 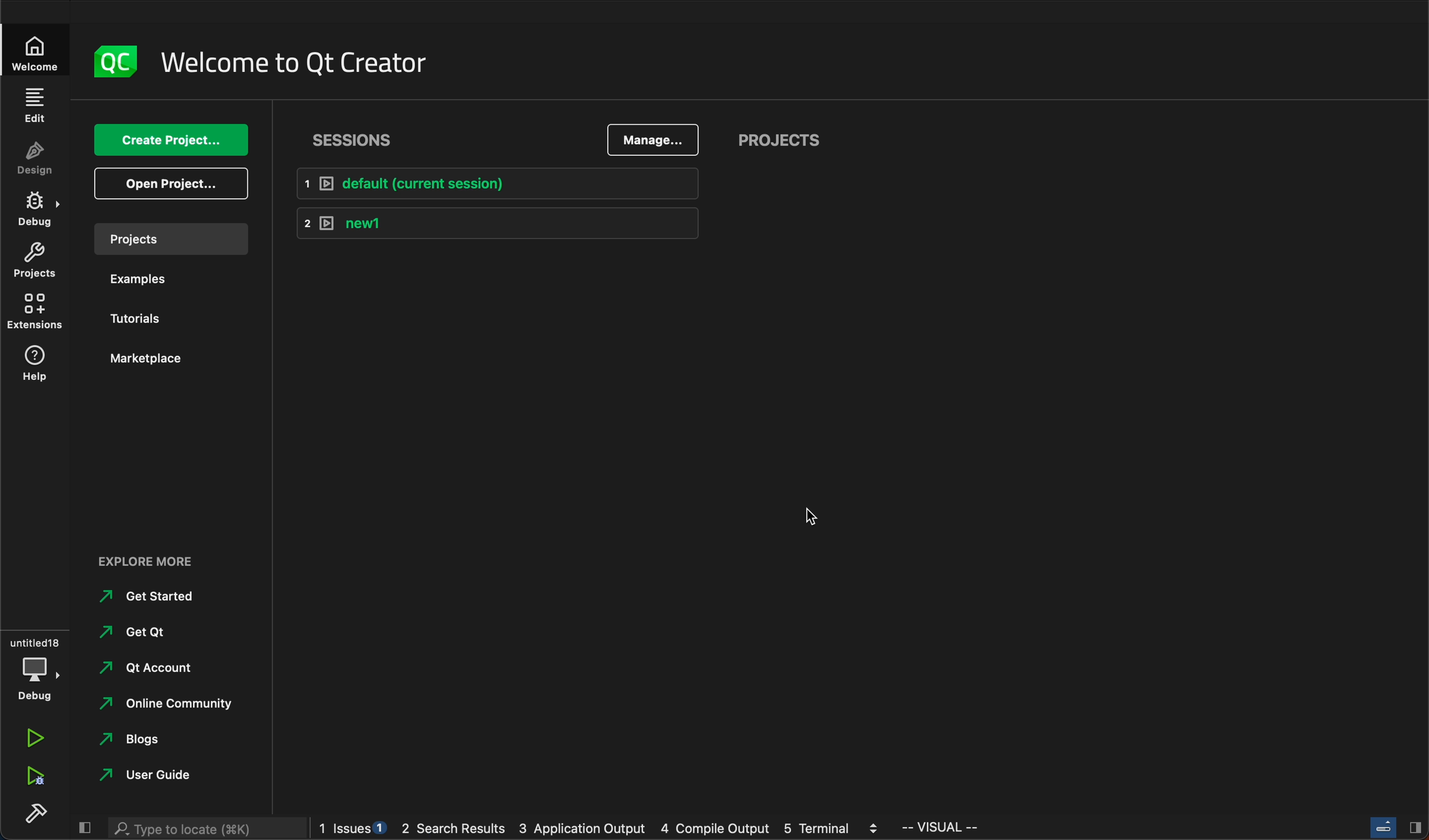 What do you see at coordinates (35, 262) in the screenshot?
I see `projects` at bounding box center [35, 262].